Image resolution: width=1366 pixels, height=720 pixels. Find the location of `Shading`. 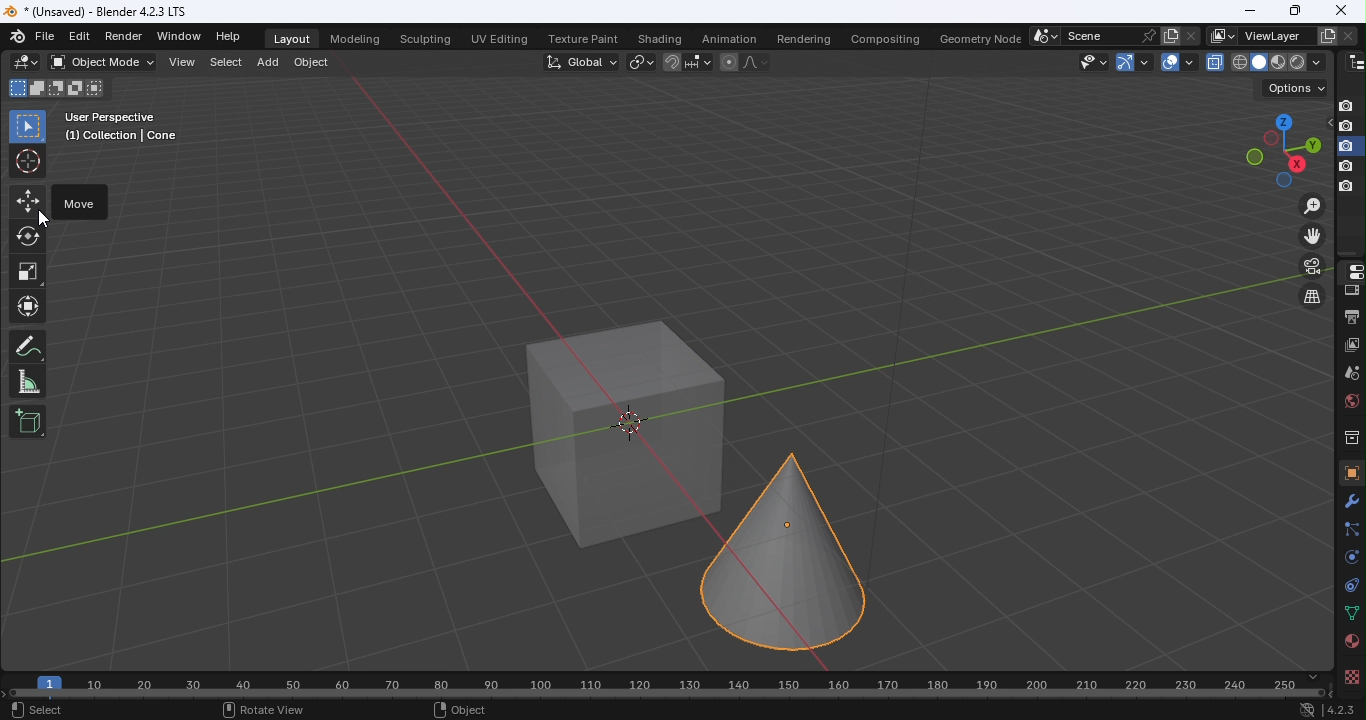

Shading is located at coordinates (659, 38).